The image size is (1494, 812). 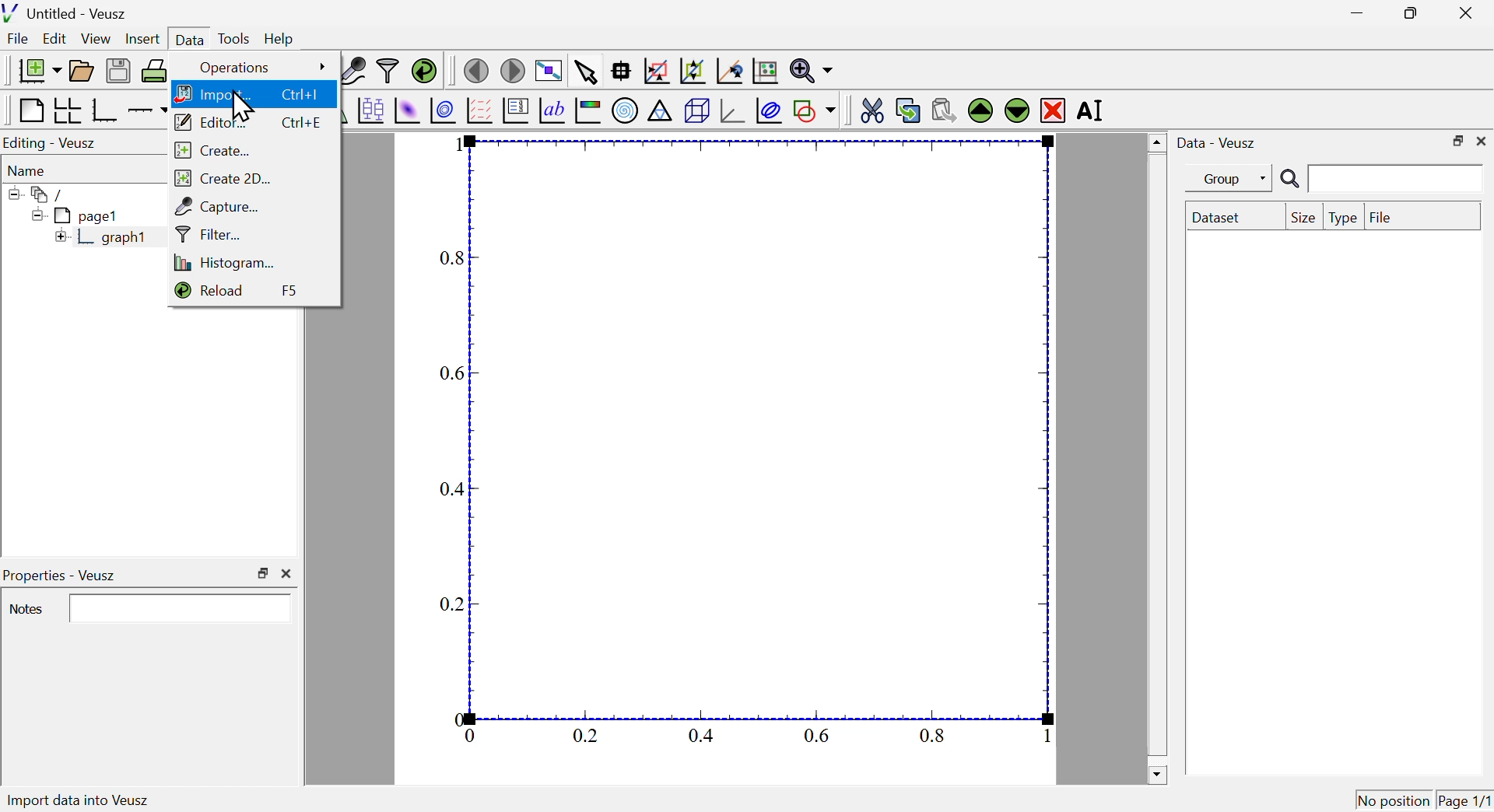 I want to click on dataset, so click(x=1220, y=217).